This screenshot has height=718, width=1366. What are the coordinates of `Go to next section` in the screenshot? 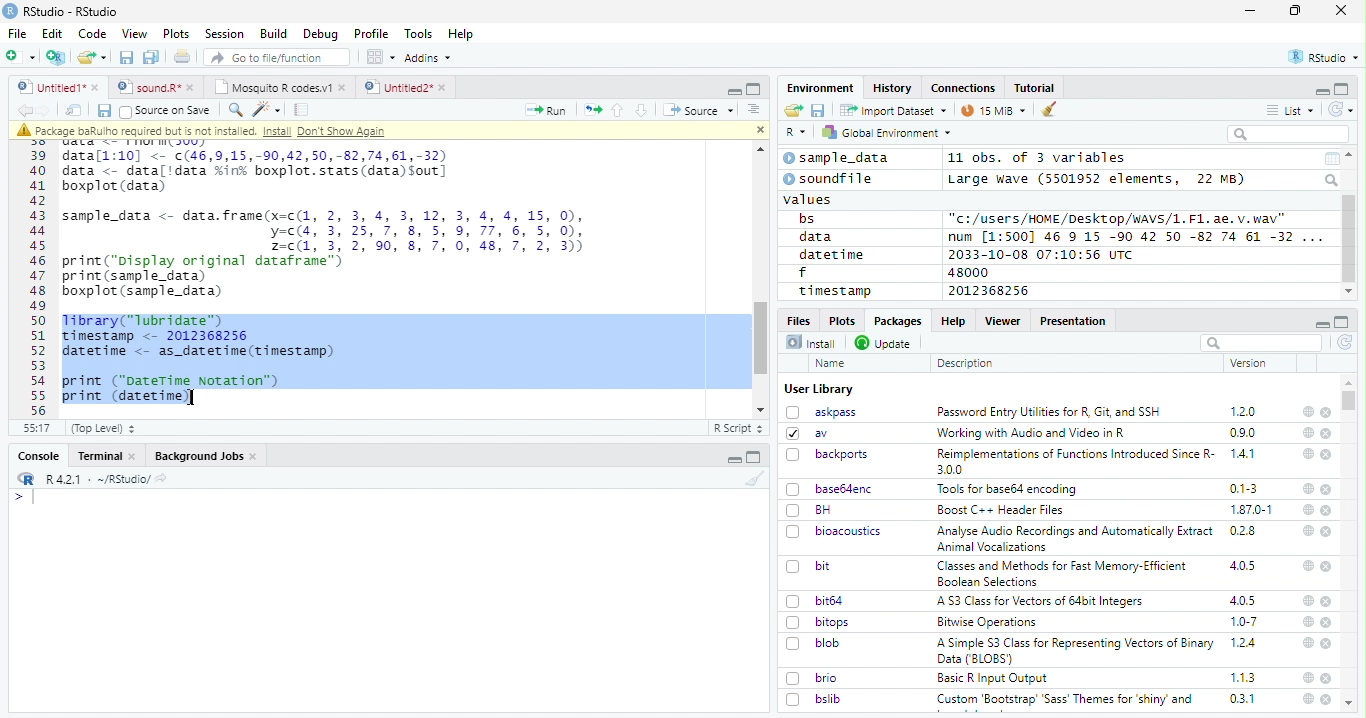 It's located at (644, 110).